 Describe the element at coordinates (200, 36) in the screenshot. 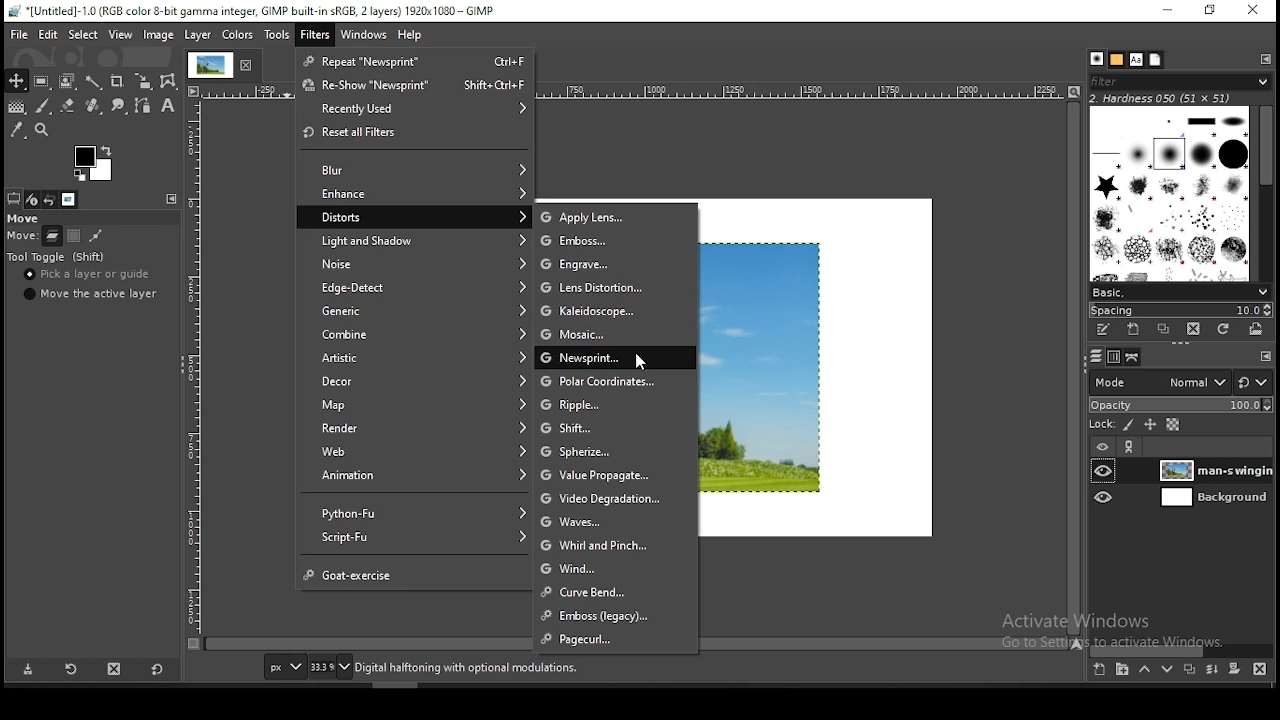

I see `layer` at that location.